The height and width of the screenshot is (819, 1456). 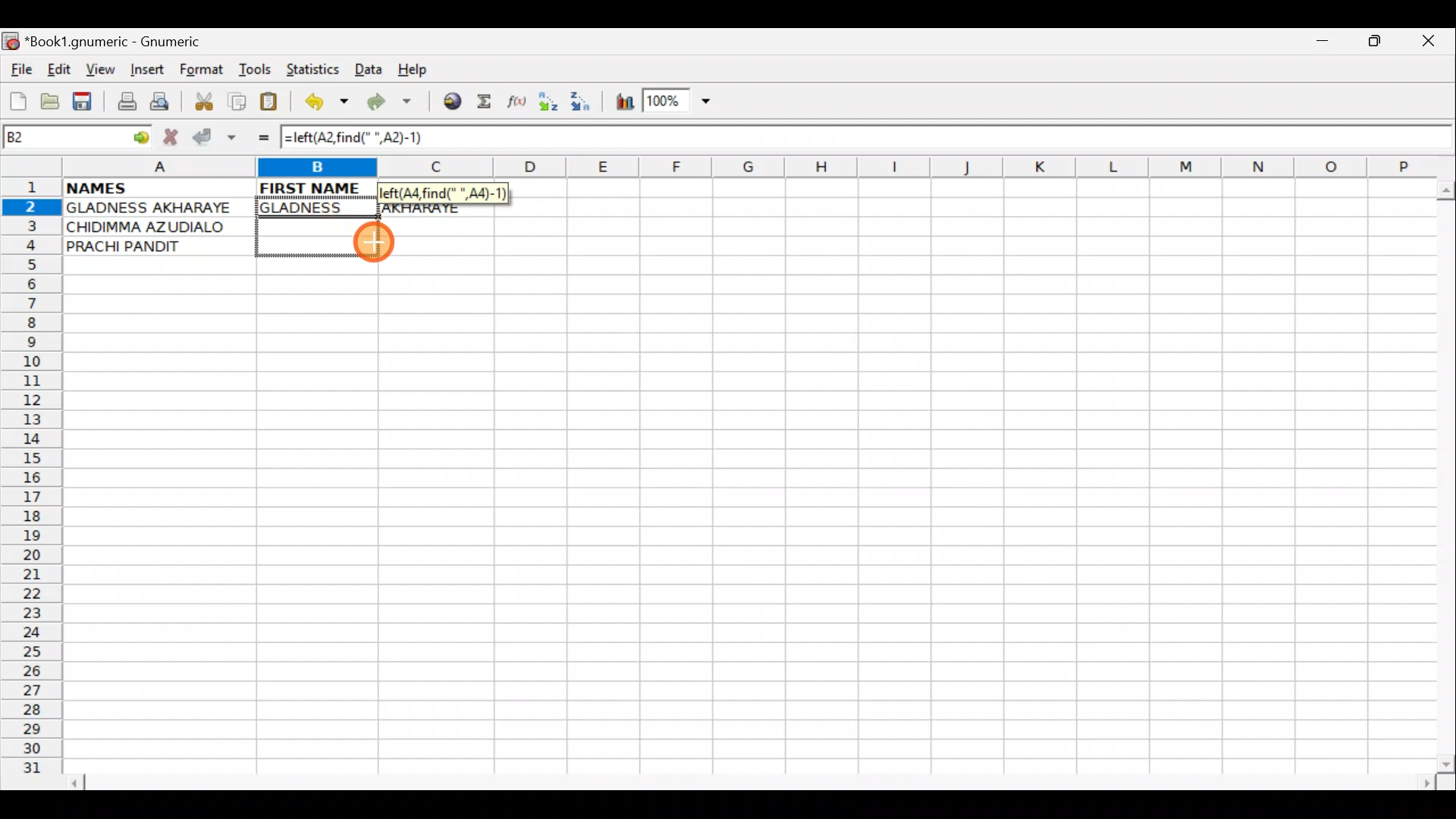 I want to click on Formula bar, so click(x=952, y=142).